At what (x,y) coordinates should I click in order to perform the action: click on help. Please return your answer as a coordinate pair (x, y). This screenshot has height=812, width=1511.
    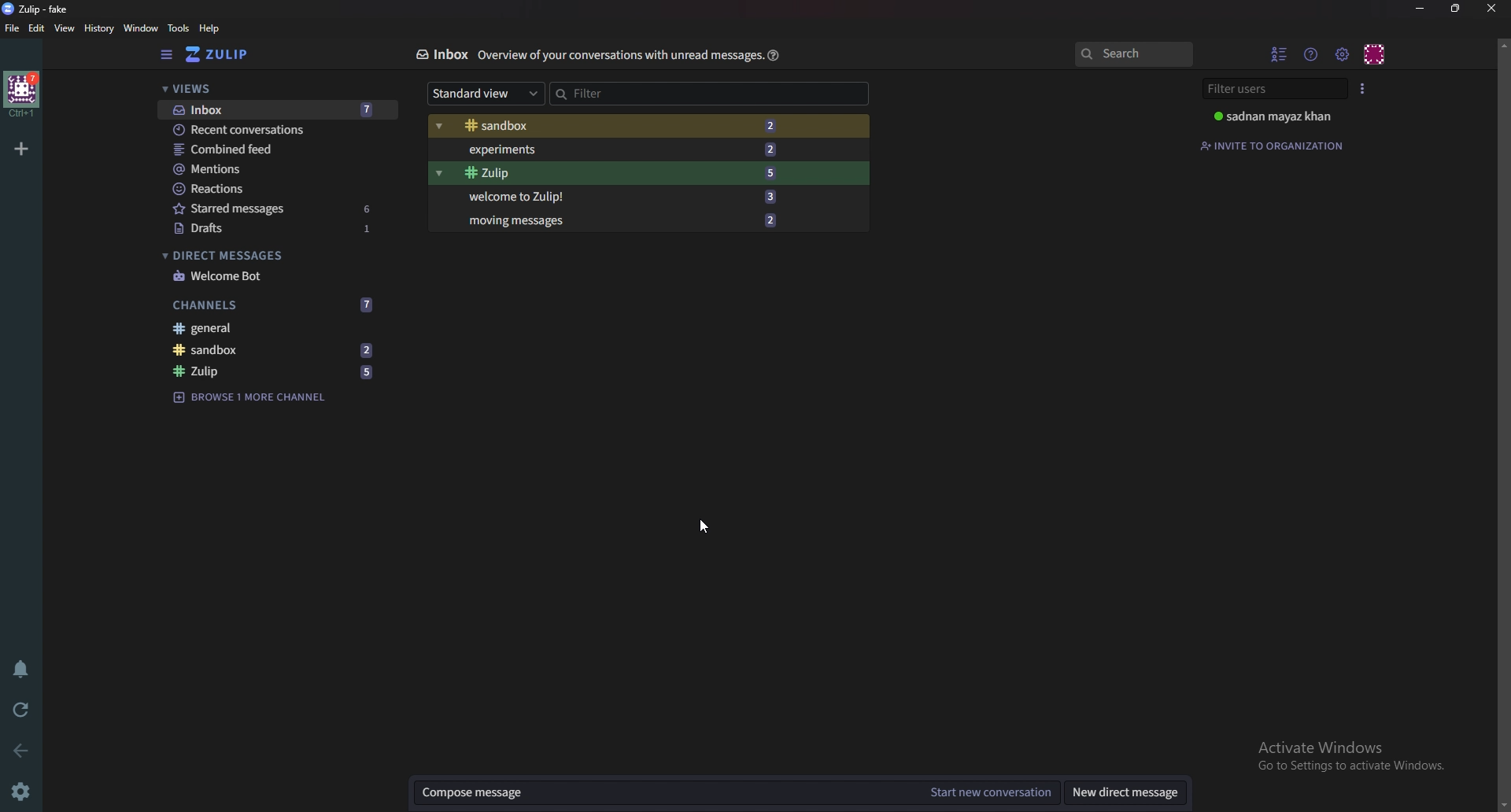
    Looking at the image, I should click on (774, 55).